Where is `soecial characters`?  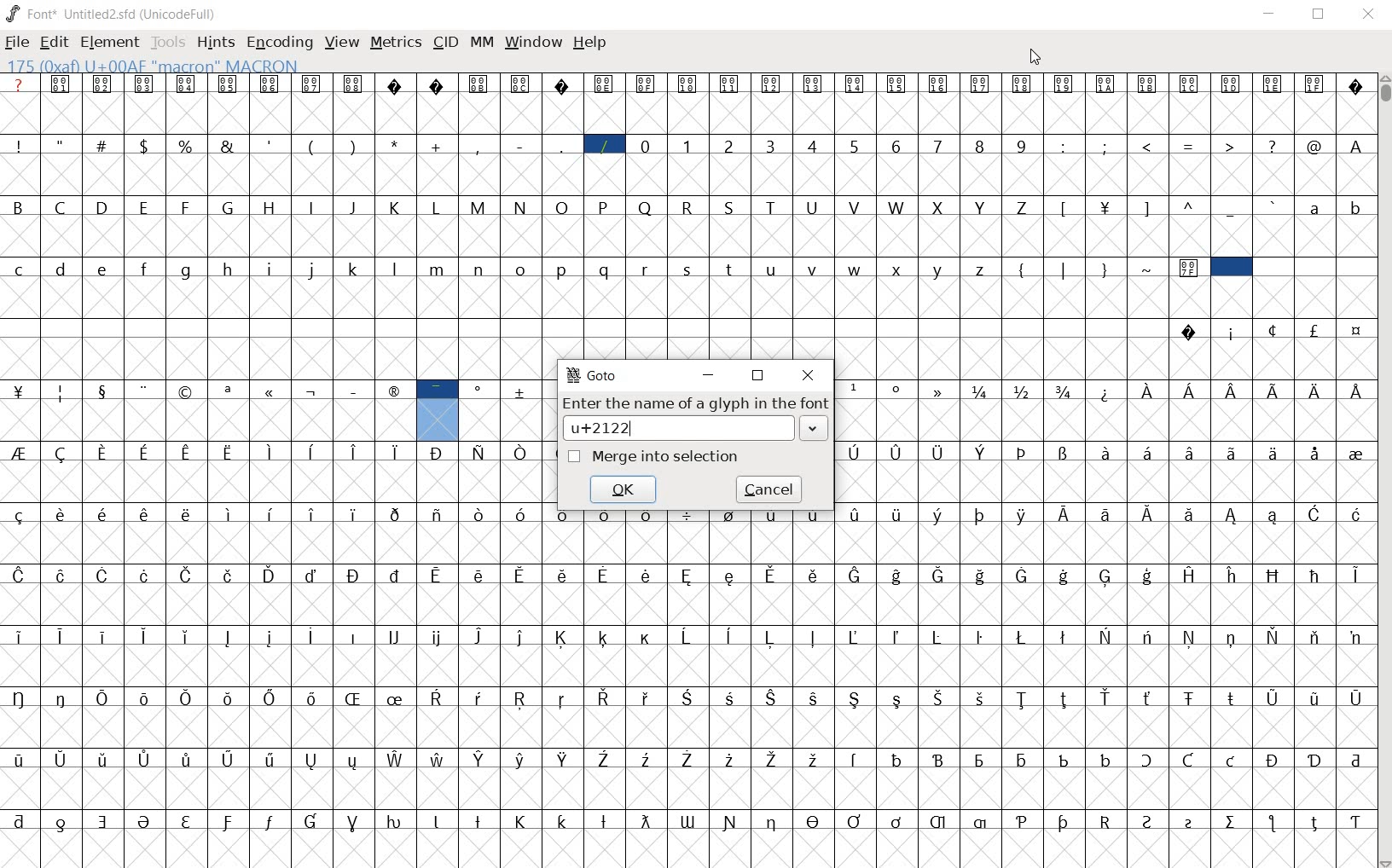 soecial characters is located at coordinates (310, 166).